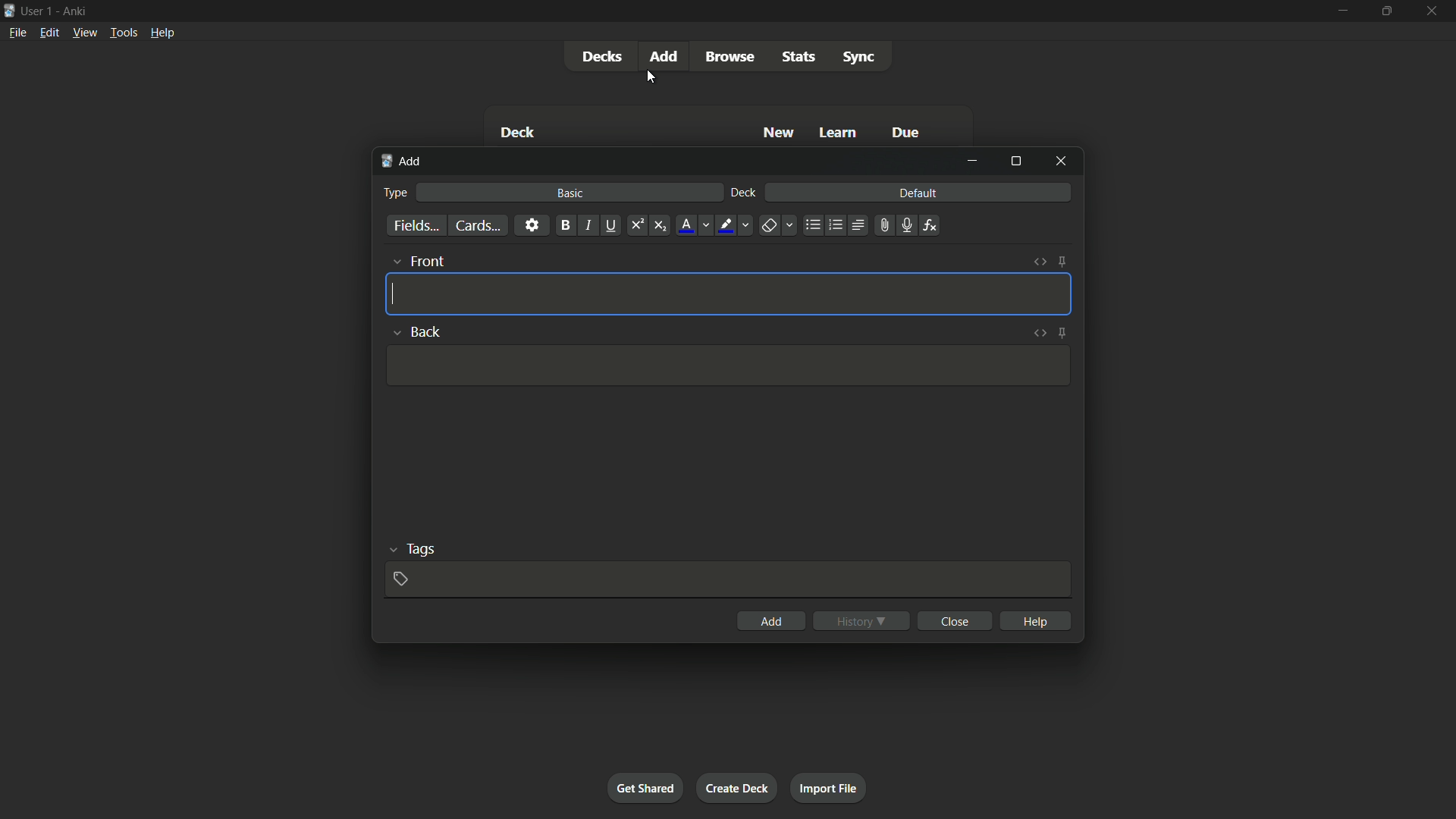  Describe the element at coordinates (730, 57) in the screenshot. I see `browse` at that location.